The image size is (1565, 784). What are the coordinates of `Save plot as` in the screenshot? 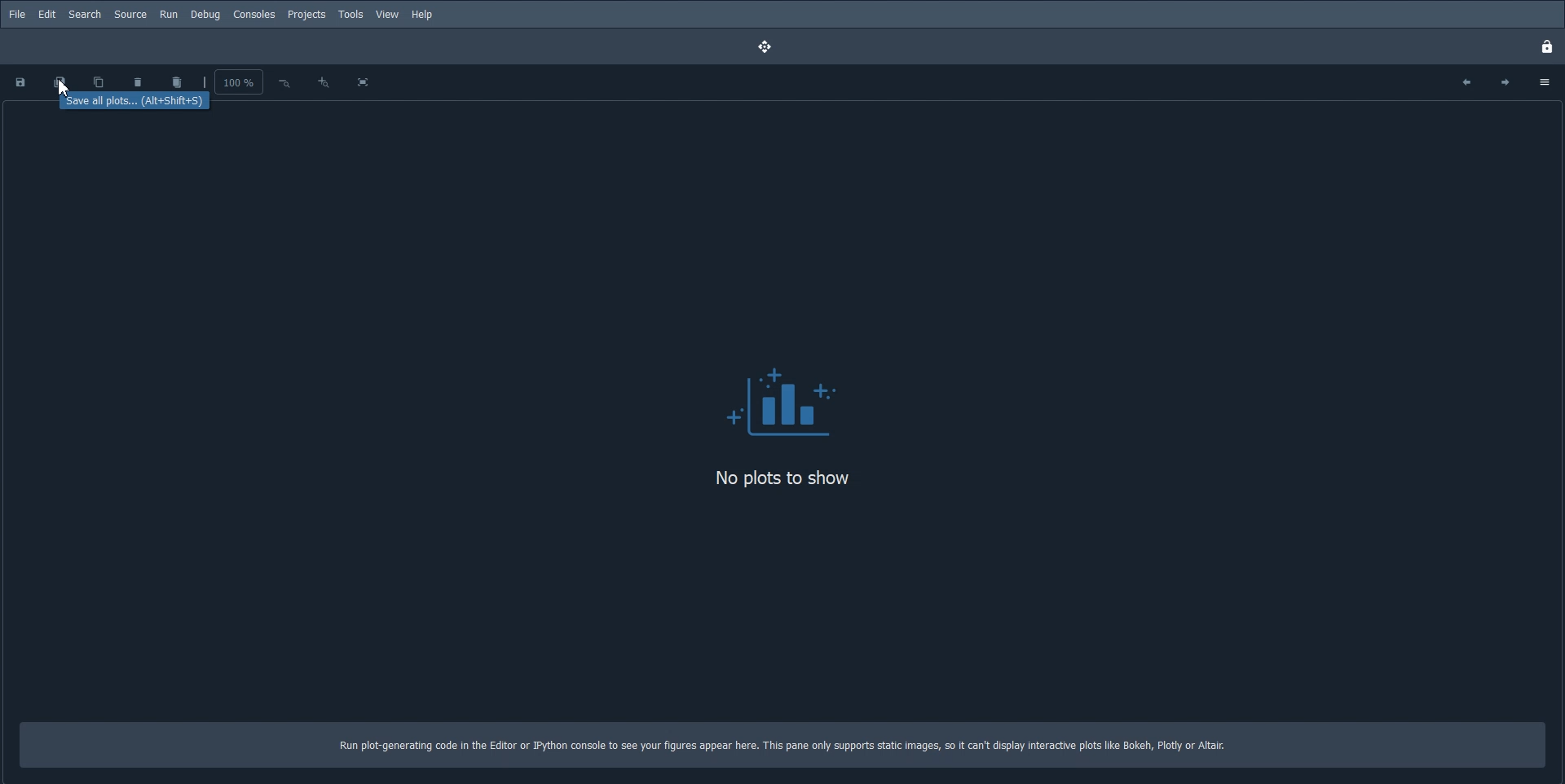 It's located at (20, 81).